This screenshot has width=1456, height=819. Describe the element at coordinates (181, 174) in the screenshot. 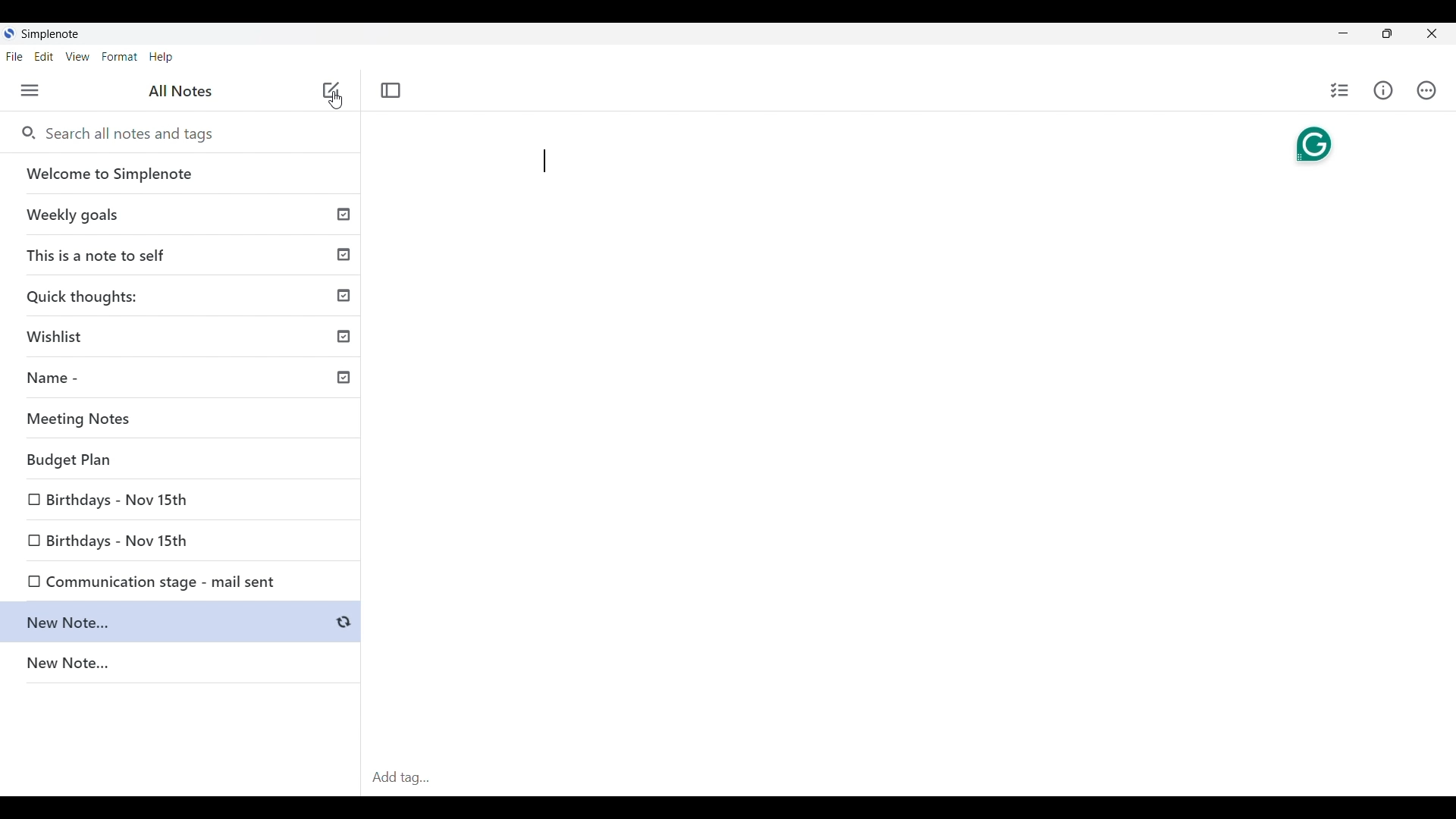

I see `Welcome to Simplenote` at that location.